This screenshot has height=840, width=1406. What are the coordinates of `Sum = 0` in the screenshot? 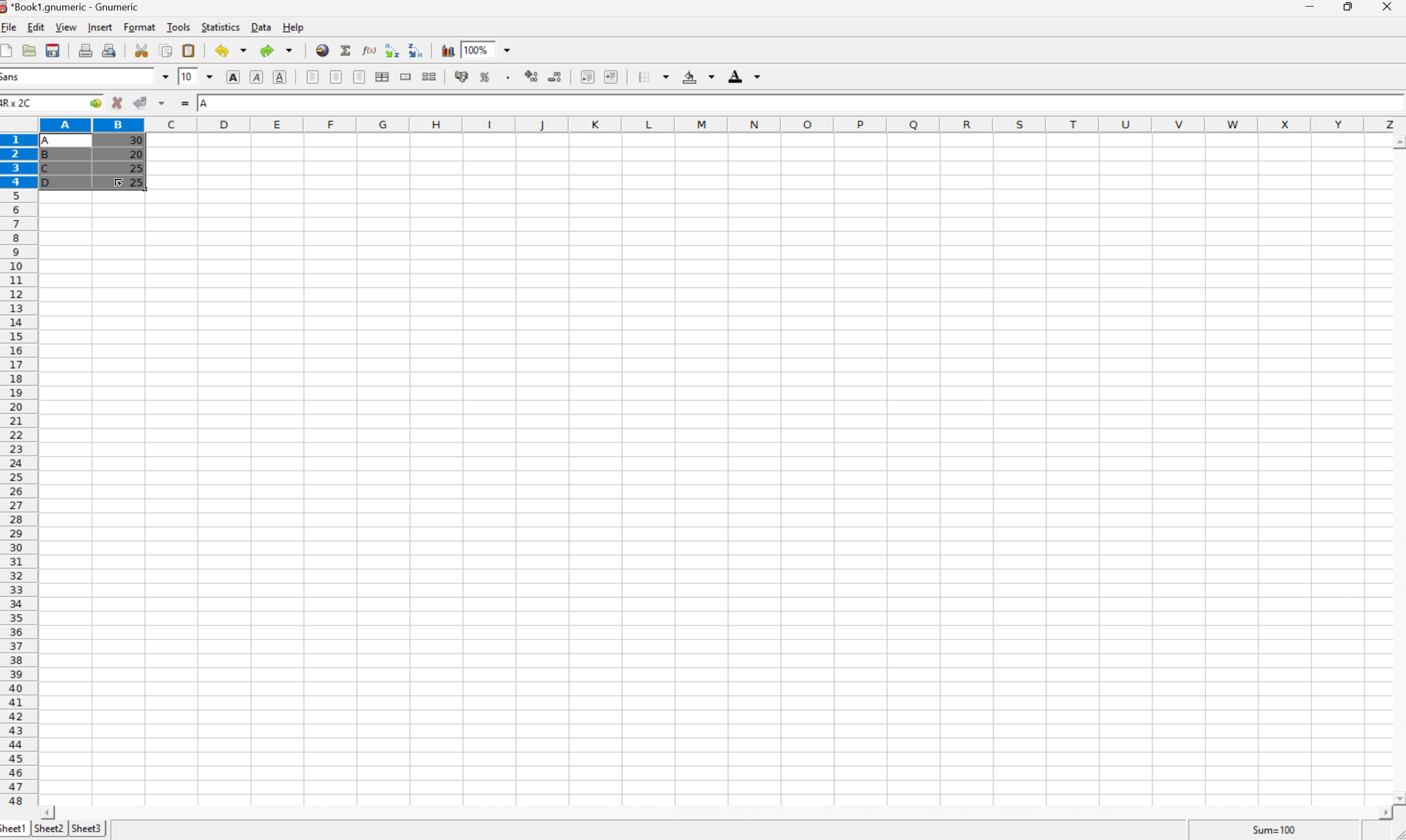 It's located at (1272, 830).